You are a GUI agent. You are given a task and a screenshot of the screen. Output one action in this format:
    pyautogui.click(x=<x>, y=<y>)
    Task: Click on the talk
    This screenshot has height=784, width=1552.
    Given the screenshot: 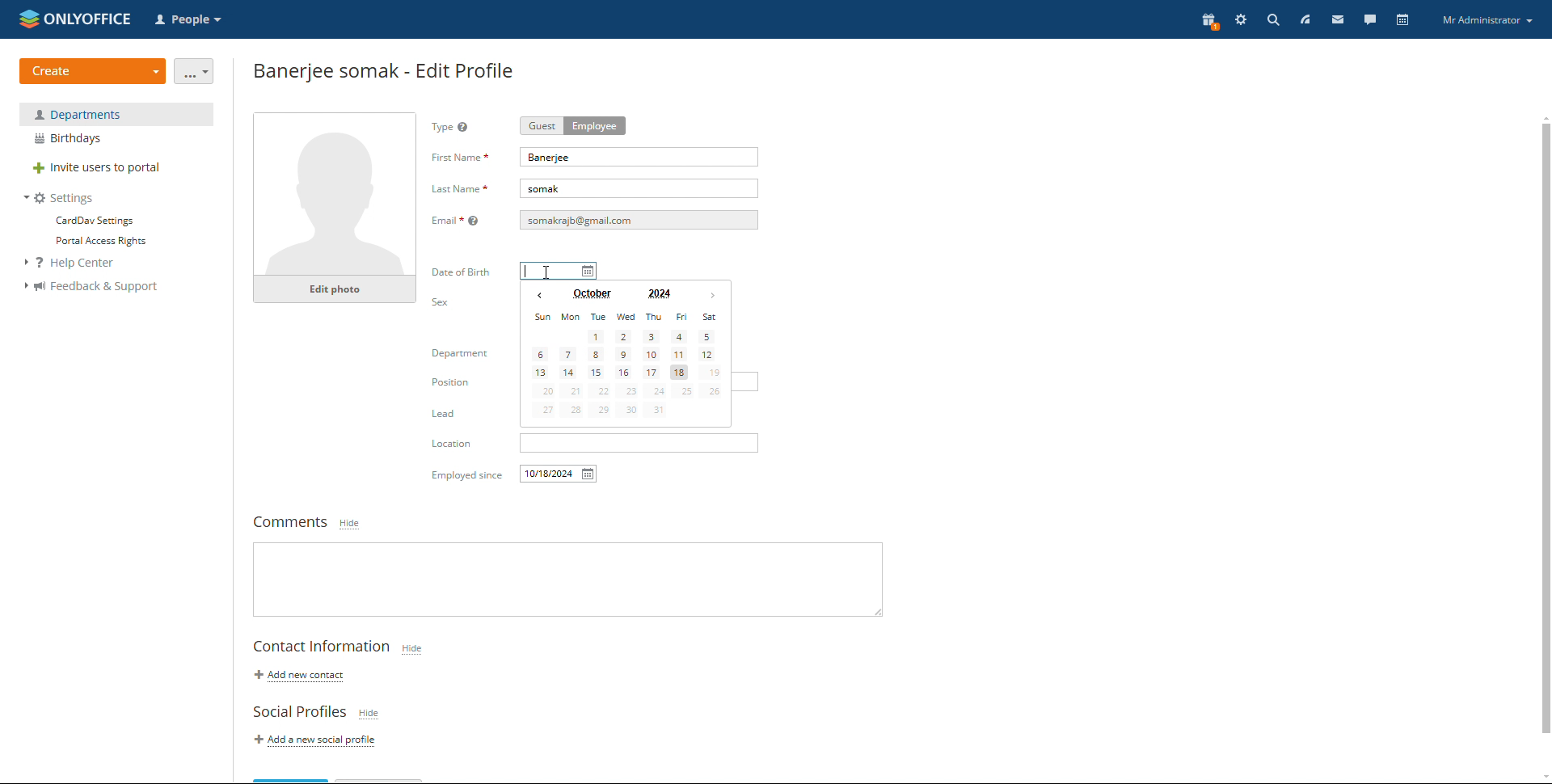 What is the action you would take?
    pyautogui.click(x=1369, y=19)
    